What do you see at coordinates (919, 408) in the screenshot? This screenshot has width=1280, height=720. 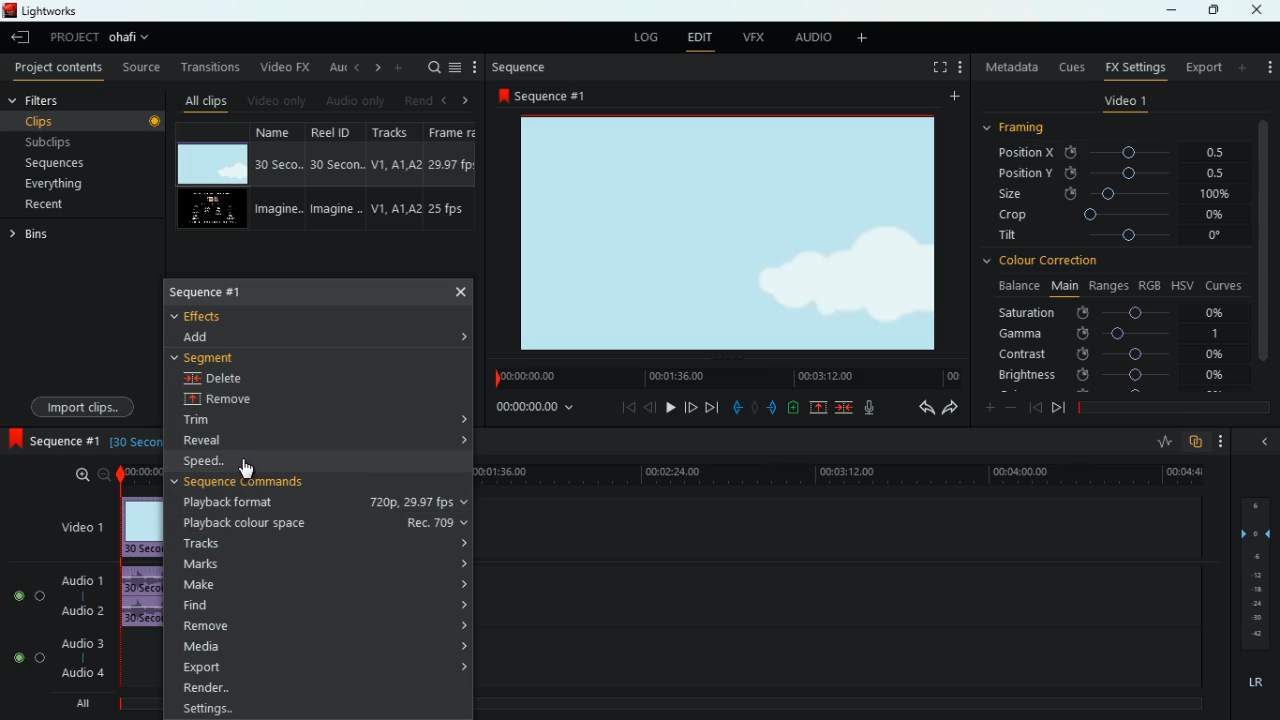 I see `back` at bounding box center [919, 408].